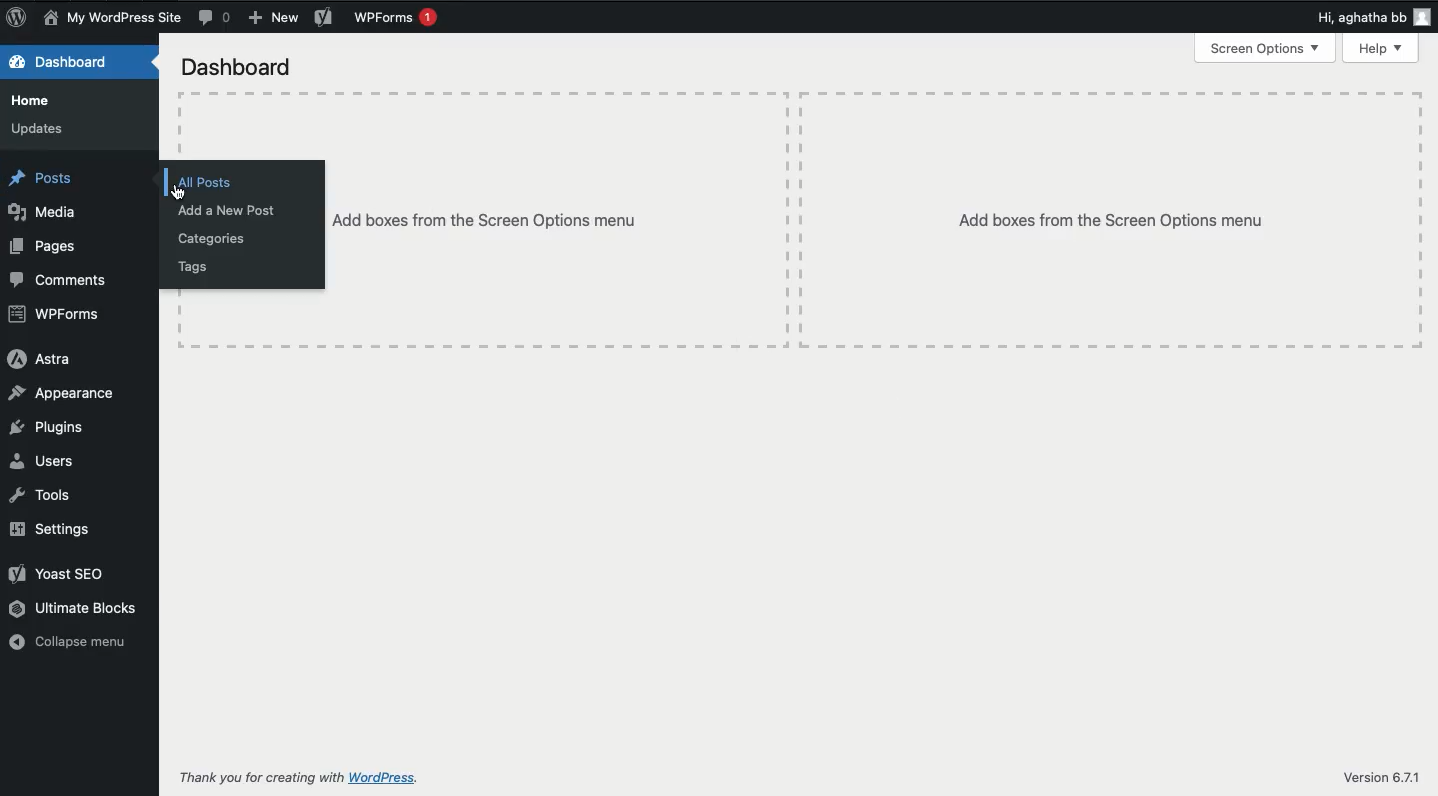 This screenshot has width=1438, height=796. I want to click on Add boxes from the screen options menu, so click(1109, 220).